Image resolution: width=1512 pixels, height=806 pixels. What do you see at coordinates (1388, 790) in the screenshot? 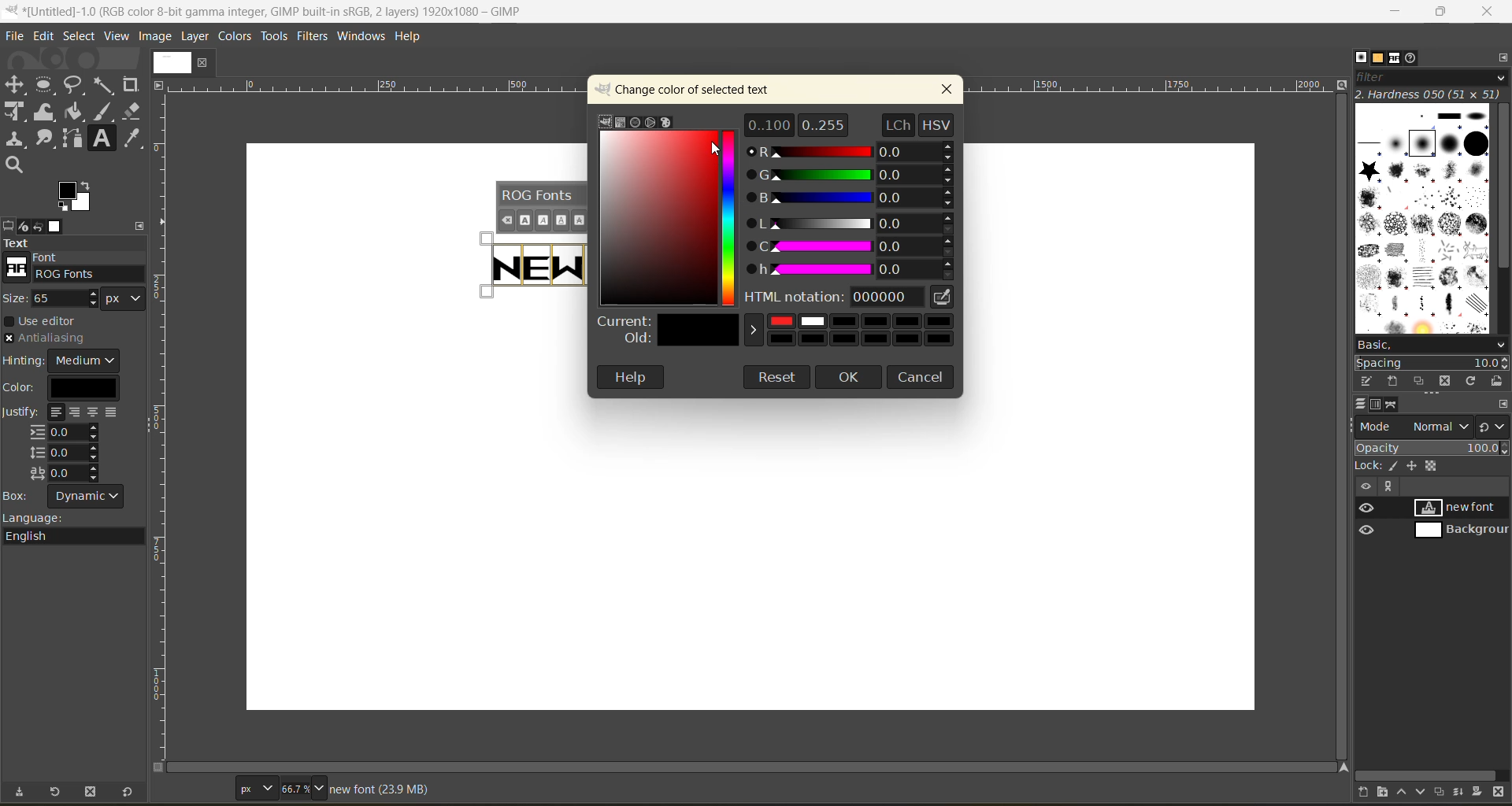
I see `create a new layer group` at bounding box center [1388, 790].